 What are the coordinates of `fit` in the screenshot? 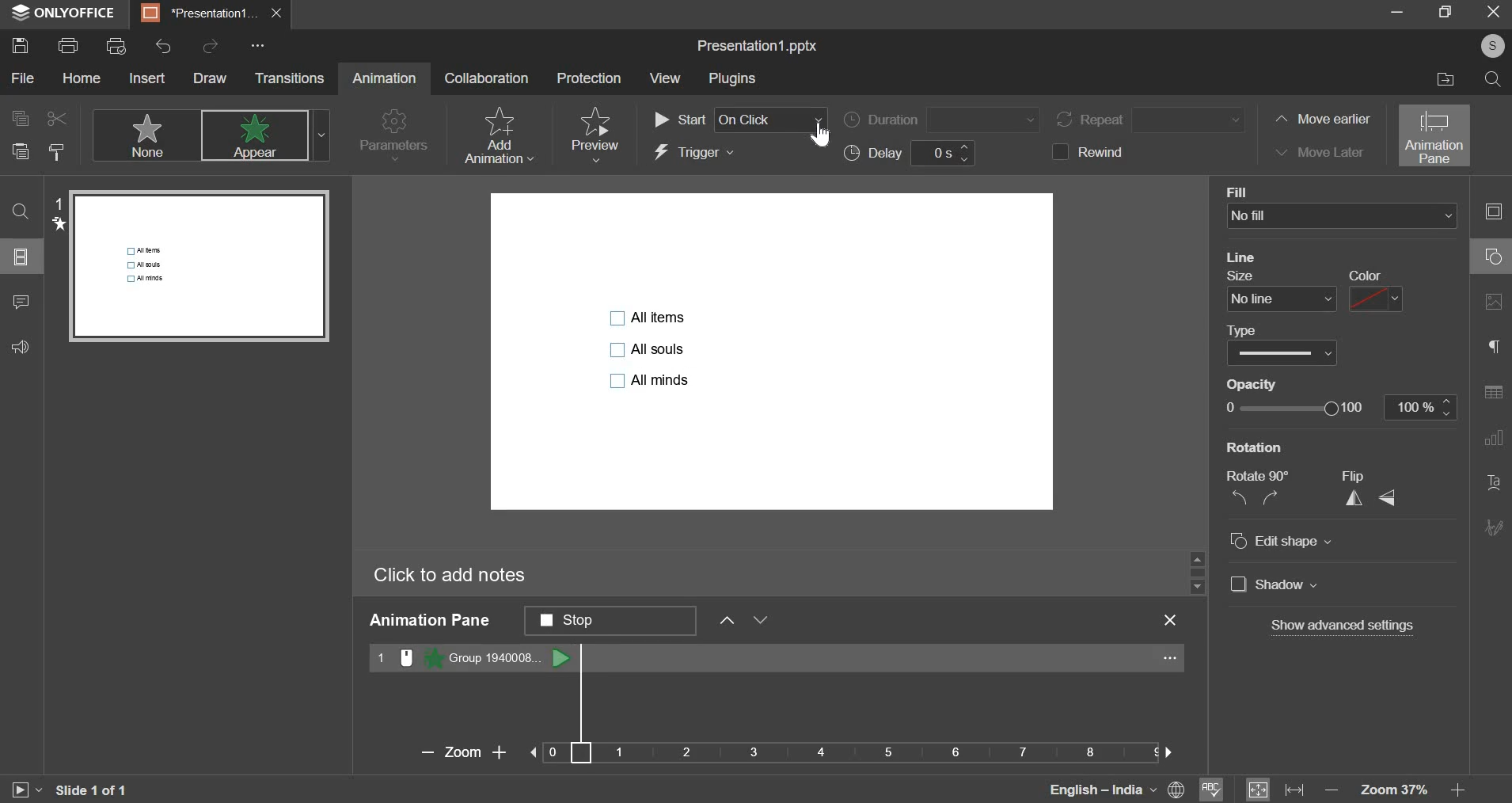 It's located at (1275, 788).